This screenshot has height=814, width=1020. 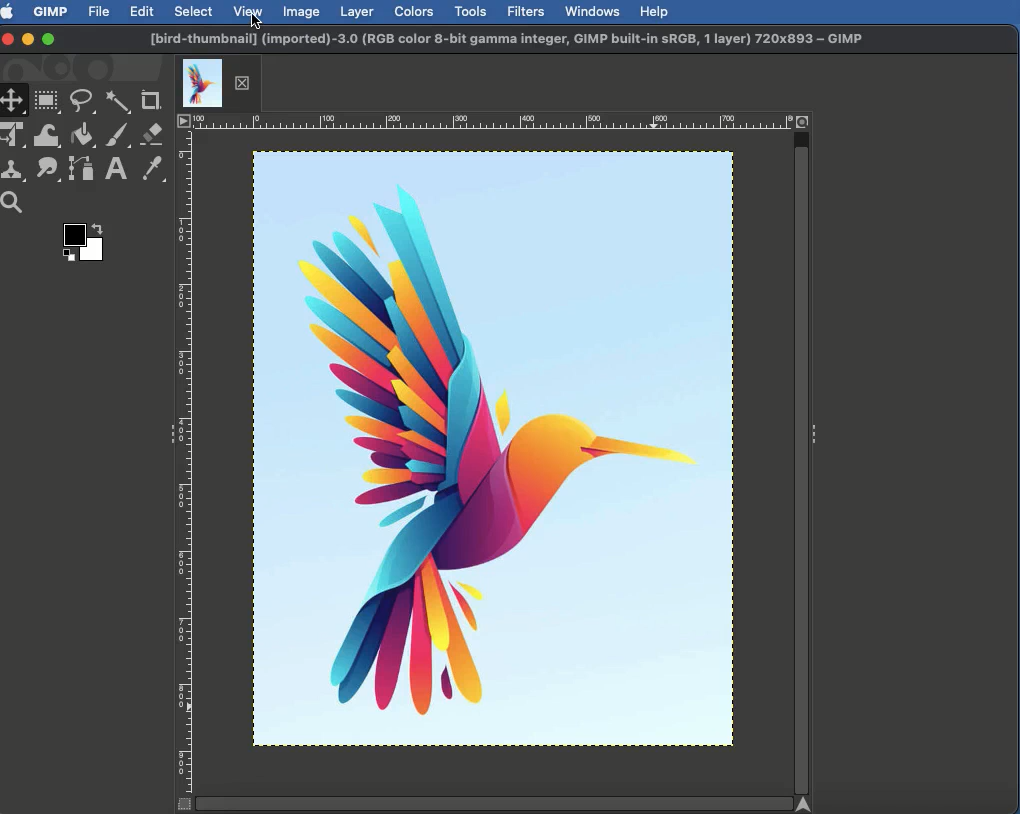 I want to click on Zoom image when window size changes, so click(x=804, y=120).